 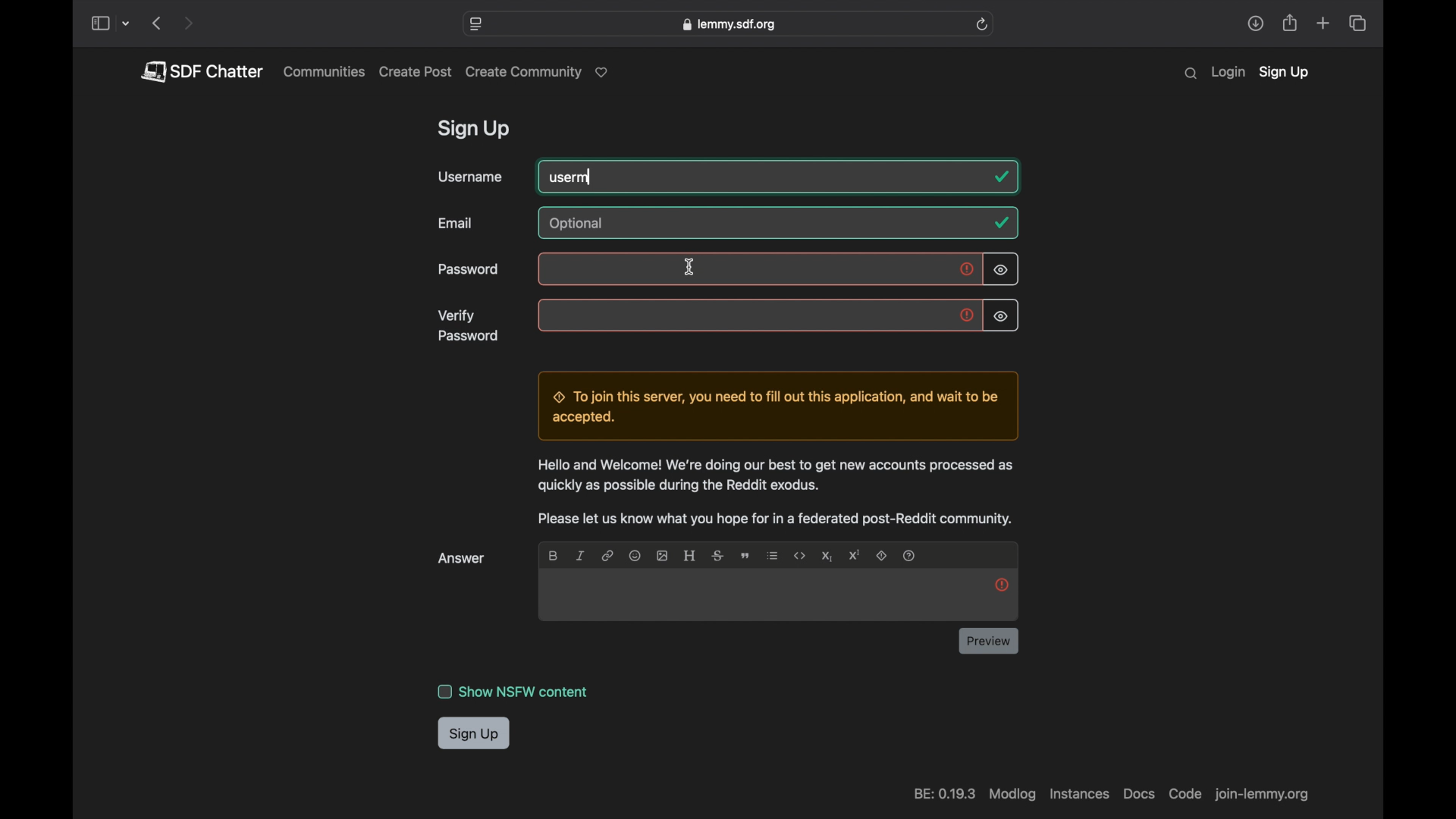 I want to click on modlog, so click(x=1011, y=795).